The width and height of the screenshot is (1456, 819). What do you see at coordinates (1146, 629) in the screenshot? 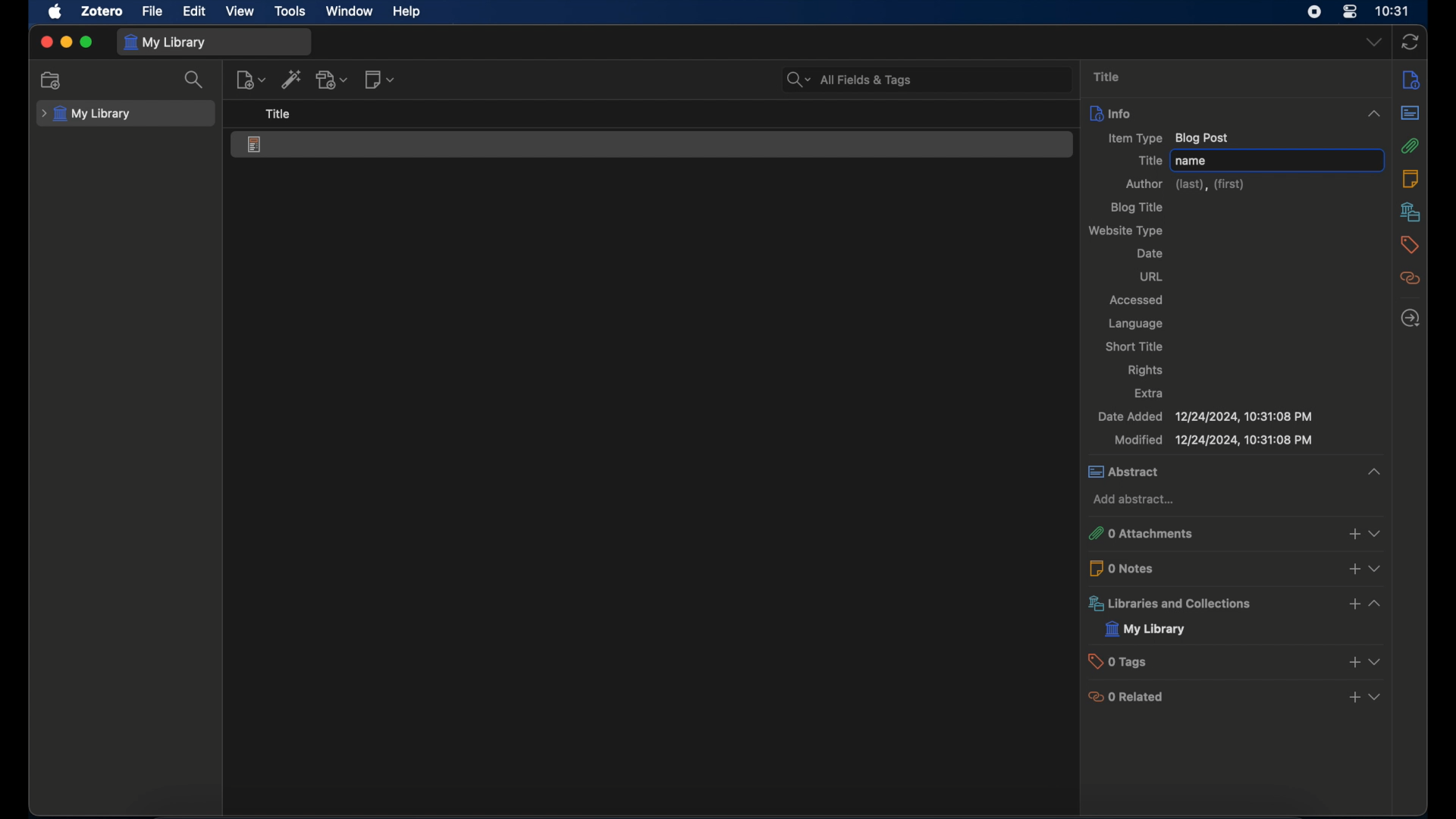
I see `my library` at bounding box center [1146, 629].